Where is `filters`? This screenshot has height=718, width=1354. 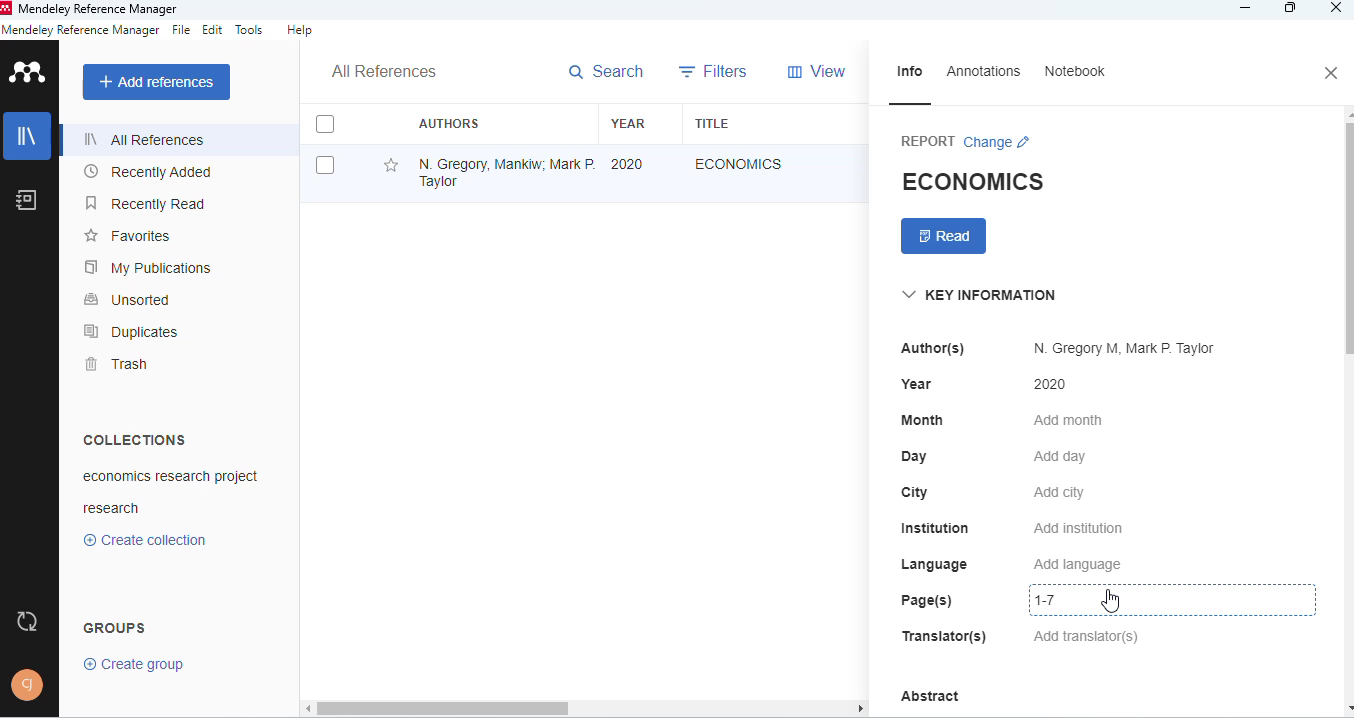
filters is located at coordinates (713, 70).